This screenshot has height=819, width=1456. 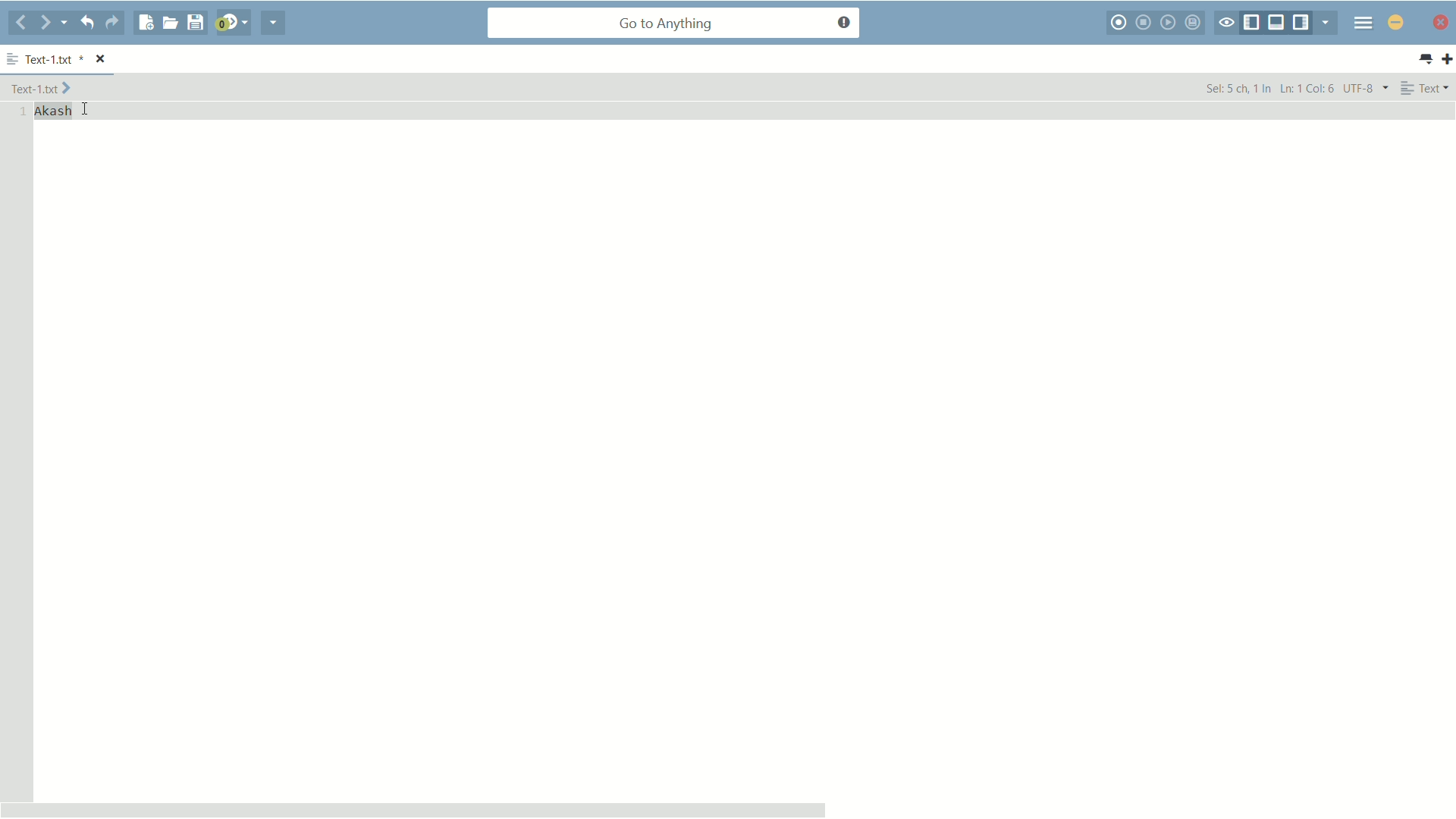 I want to click on close app, so click(x=1439, y=22).